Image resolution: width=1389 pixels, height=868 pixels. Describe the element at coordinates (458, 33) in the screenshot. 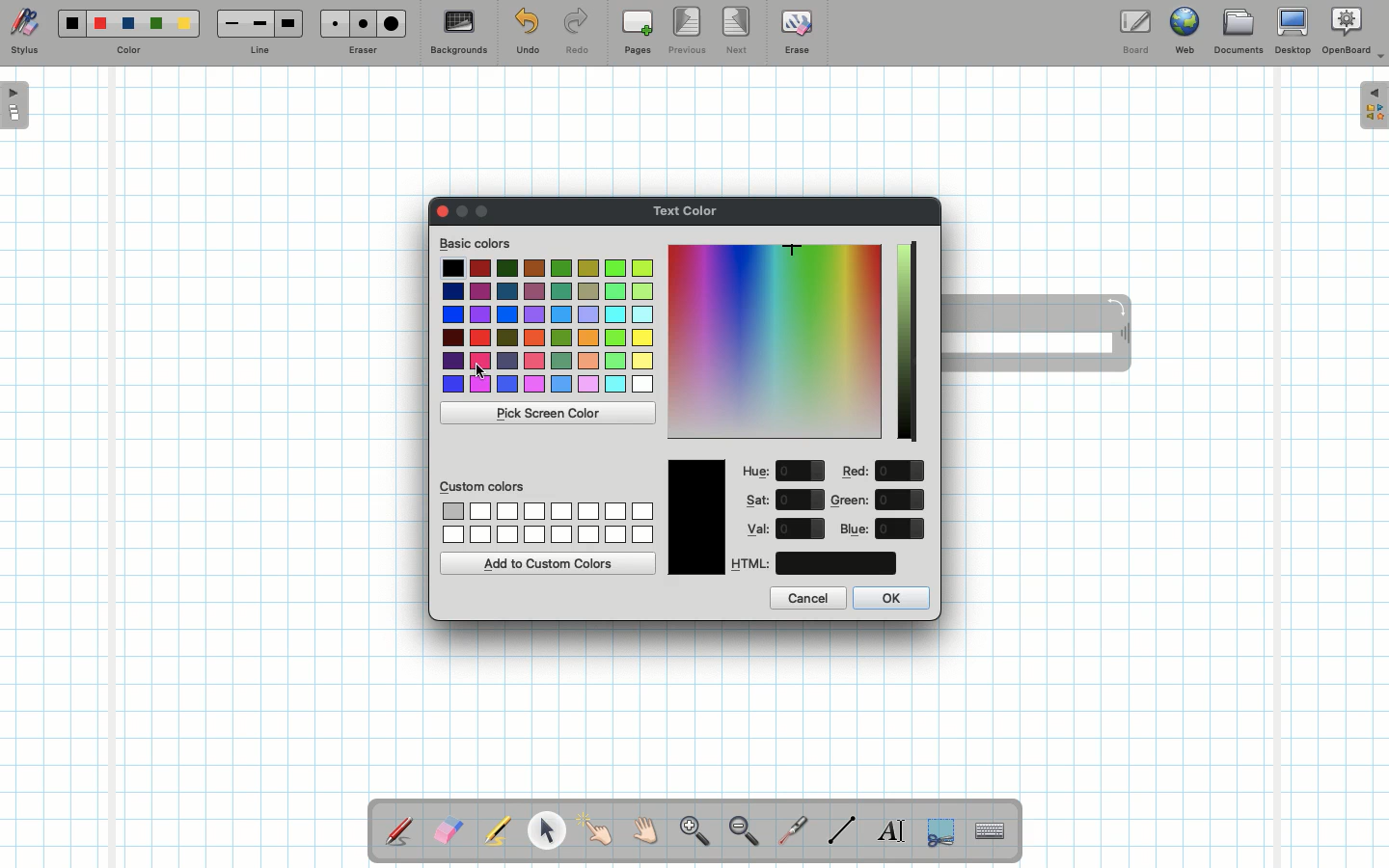

I see `Backgrounds` at that location.